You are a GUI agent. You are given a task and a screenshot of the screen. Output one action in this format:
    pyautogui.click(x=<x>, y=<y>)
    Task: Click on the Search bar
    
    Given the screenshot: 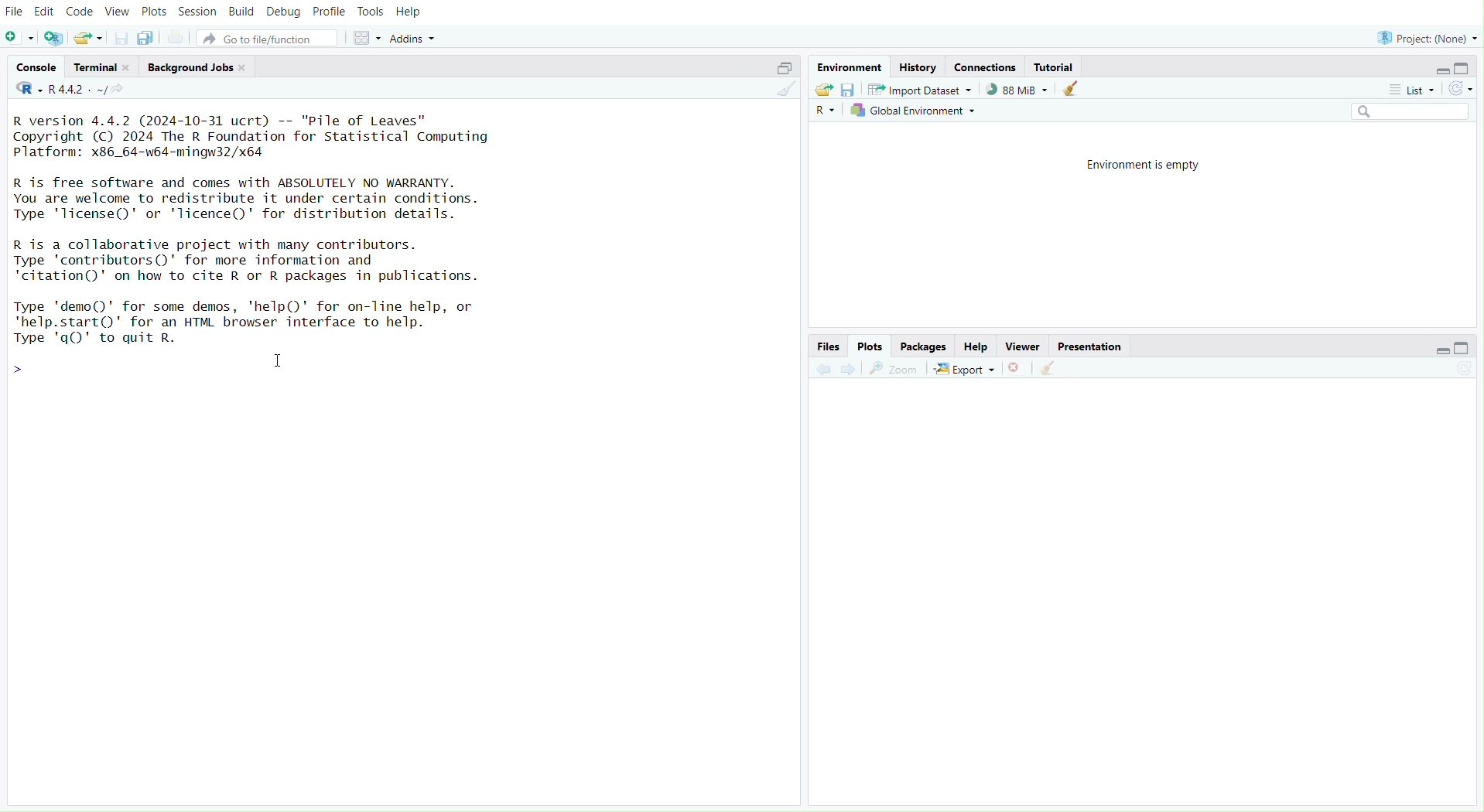 What is the action you would take?
    pyautogui.click(x=1413, y=113)
    